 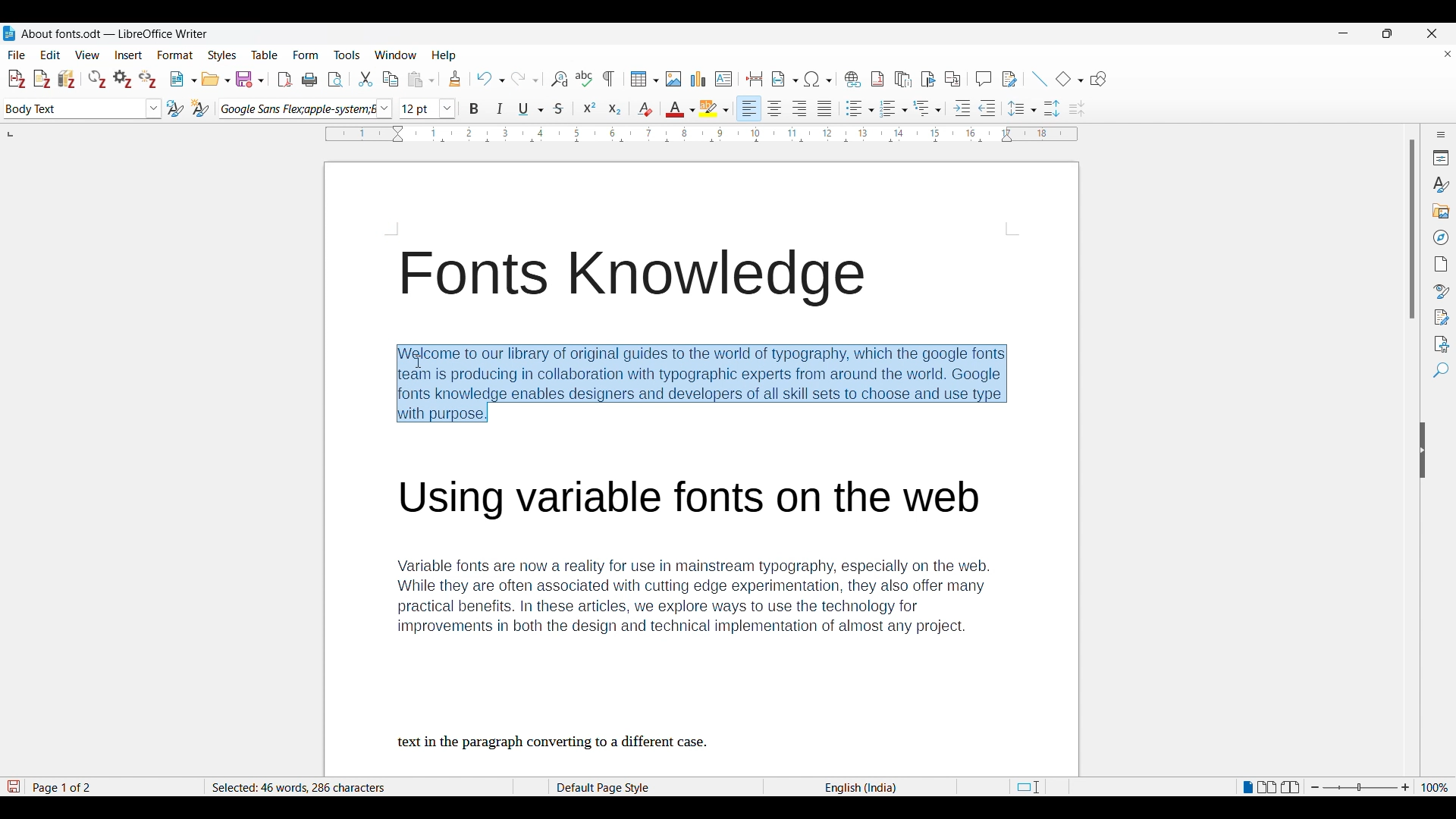 I want to click on Font options, so click(x=306, y=109).